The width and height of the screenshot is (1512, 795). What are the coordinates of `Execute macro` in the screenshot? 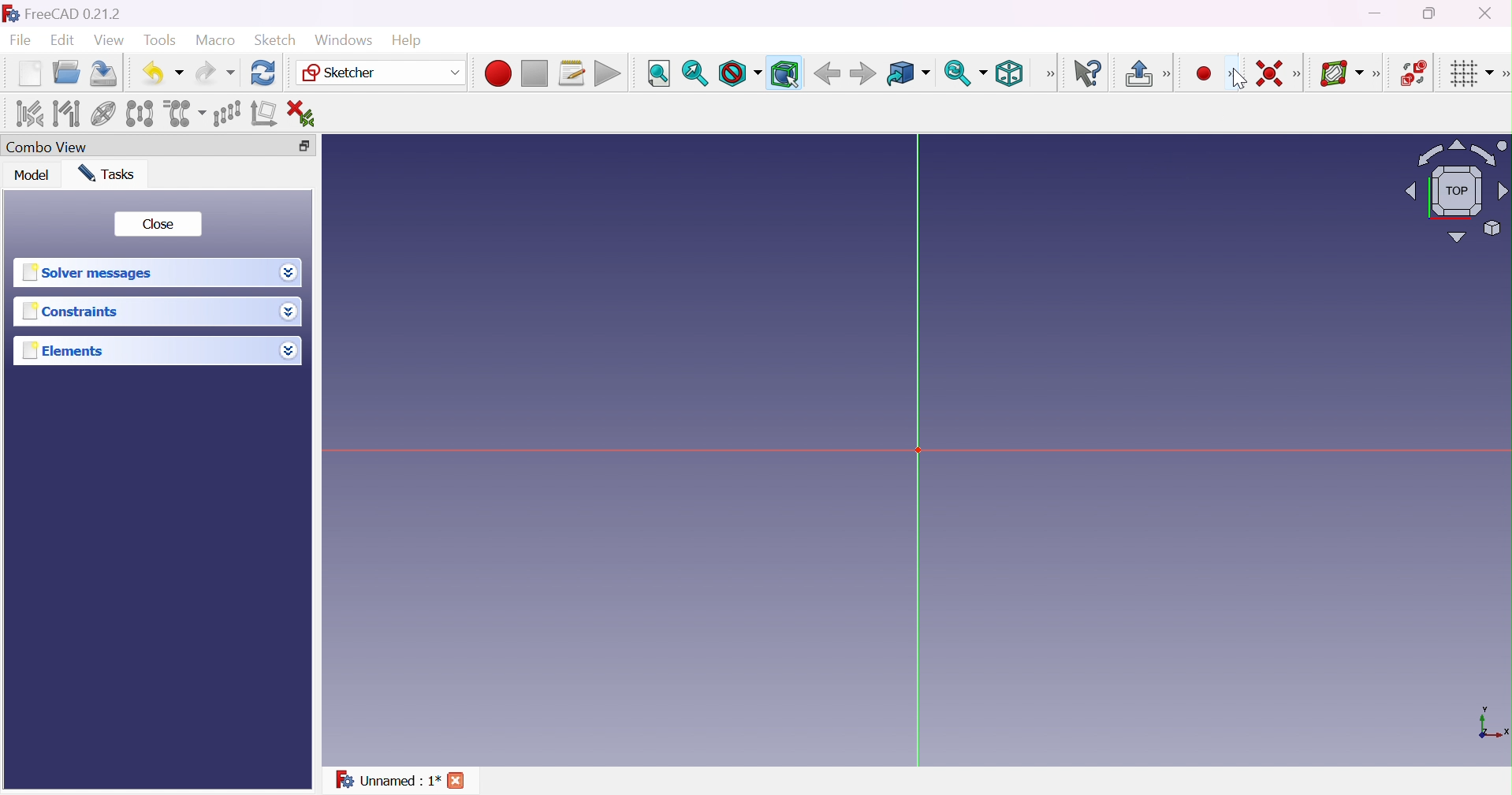 It's located at (608, 73).